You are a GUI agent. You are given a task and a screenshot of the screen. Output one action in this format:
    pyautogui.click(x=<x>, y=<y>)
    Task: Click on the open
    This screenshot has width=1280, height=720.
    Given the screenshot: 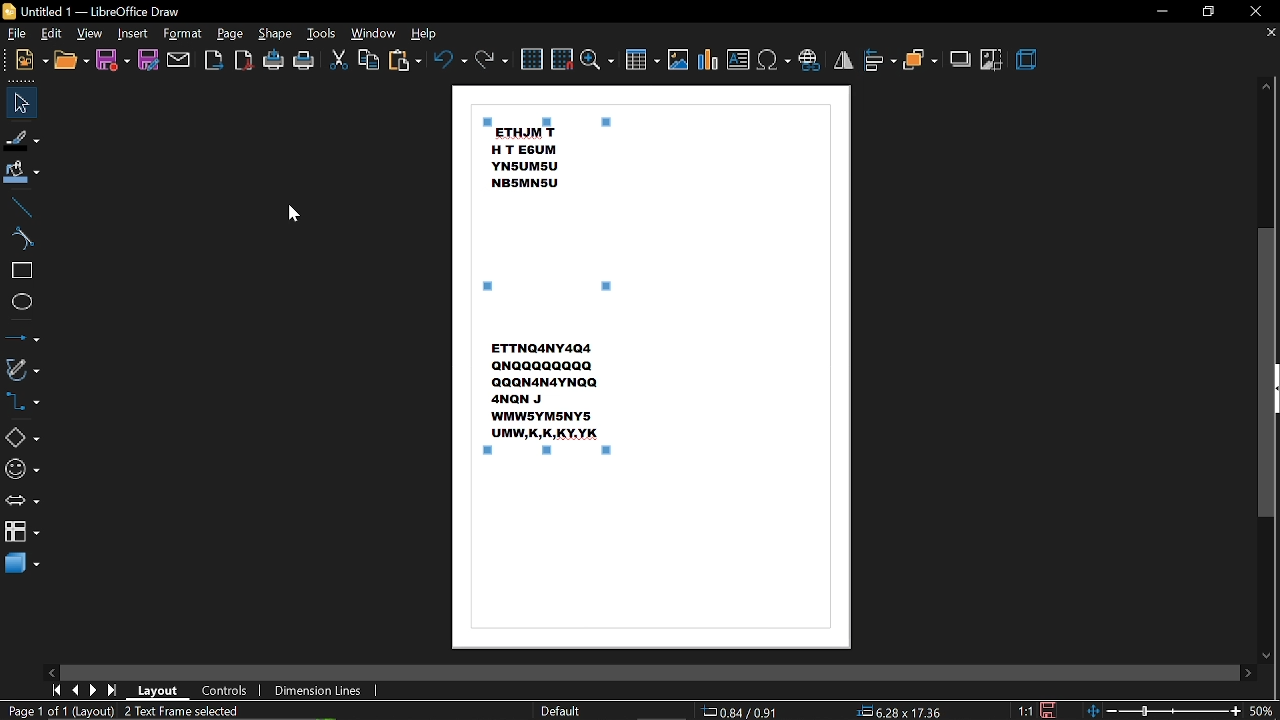 What is the action you would take?
    pyautogui.click(x=71, y=62)
    